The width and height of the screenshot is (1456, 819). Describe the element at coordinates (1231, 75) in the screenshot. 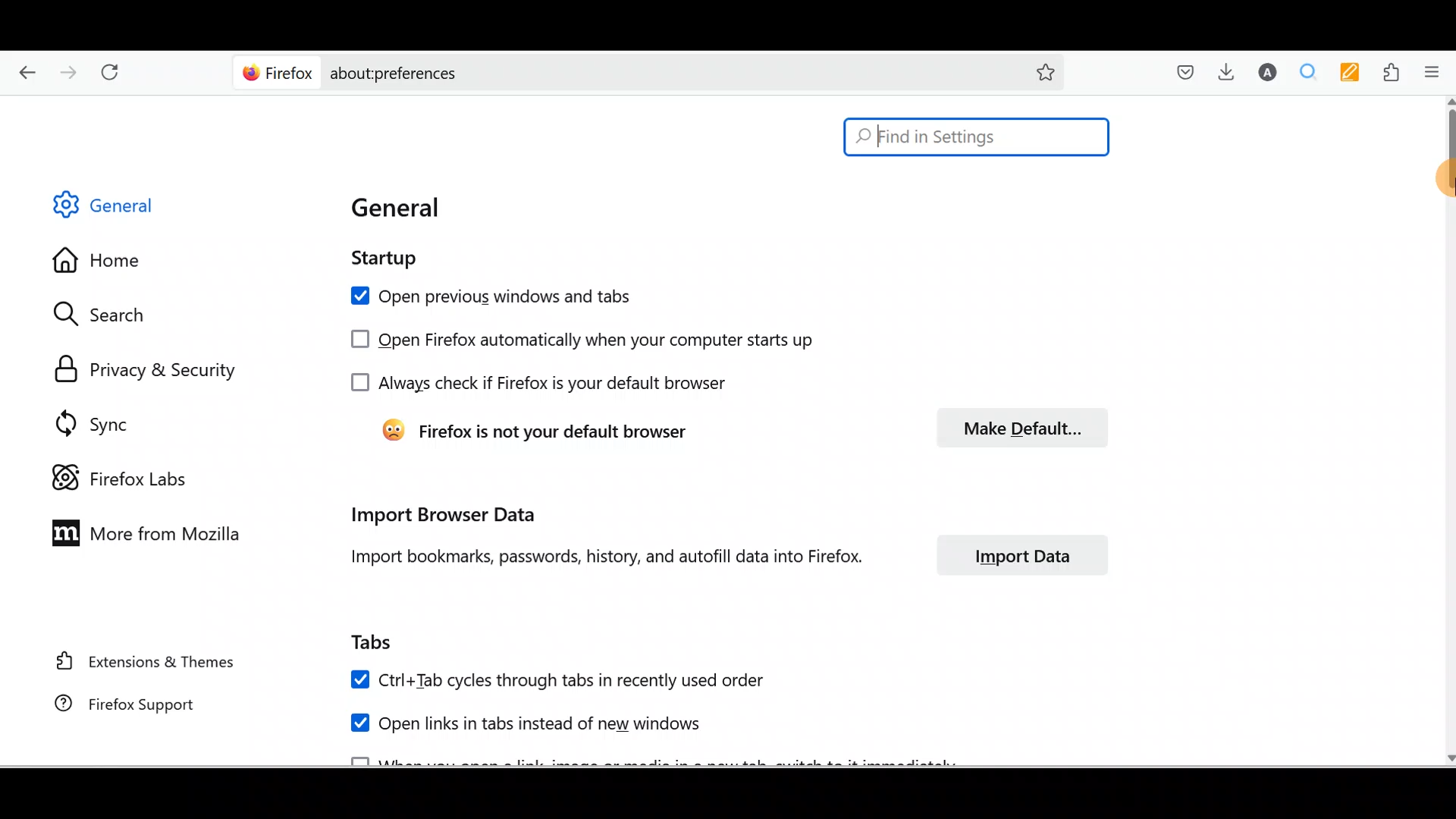

I see `Downloads` at that location.